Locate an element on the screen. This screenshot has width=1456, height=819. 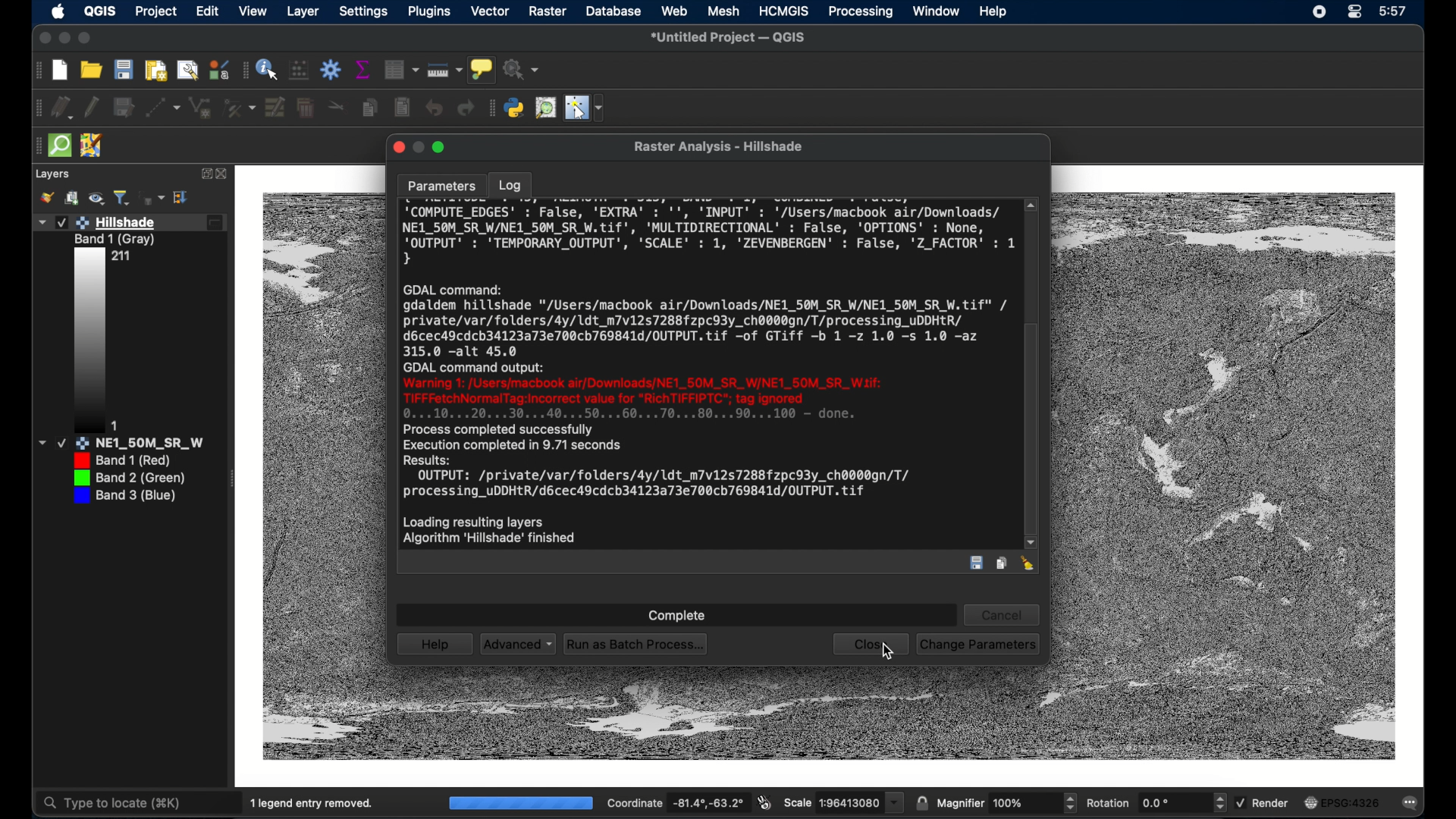
current edits is located at coordinates (63, 107).